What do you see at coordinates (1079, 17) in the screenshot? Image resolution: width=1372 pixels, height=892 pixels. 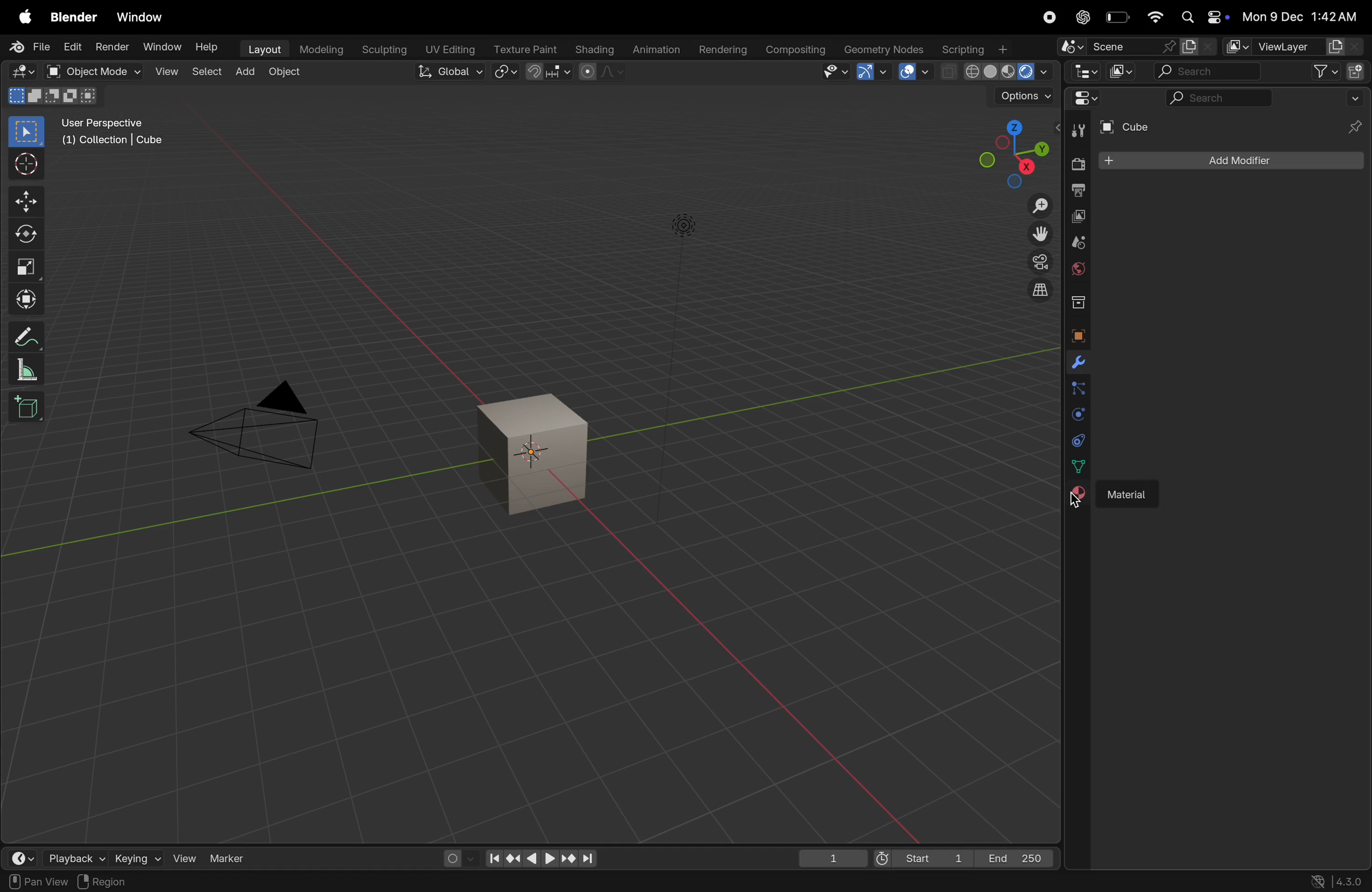 I see `chatgpt` at bounding box center [1079, 17].